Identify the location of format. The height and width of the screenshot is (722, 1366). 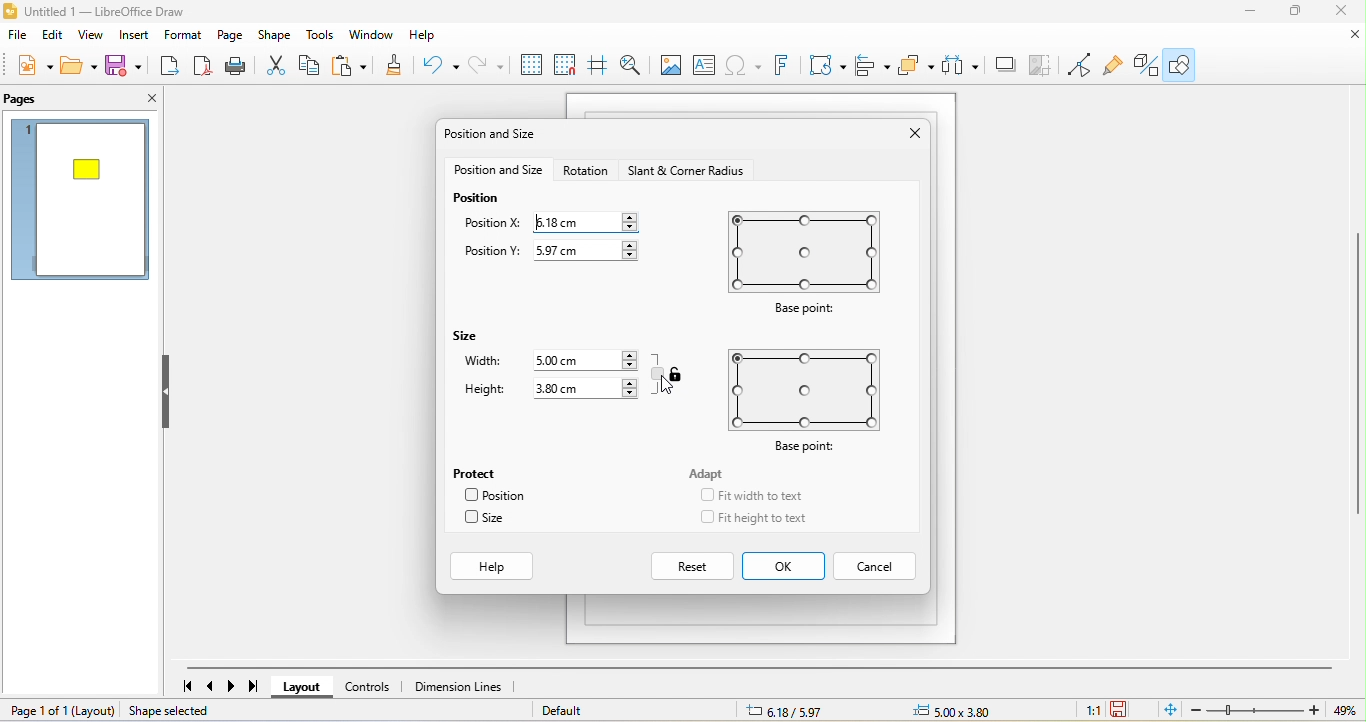
(187, 37).